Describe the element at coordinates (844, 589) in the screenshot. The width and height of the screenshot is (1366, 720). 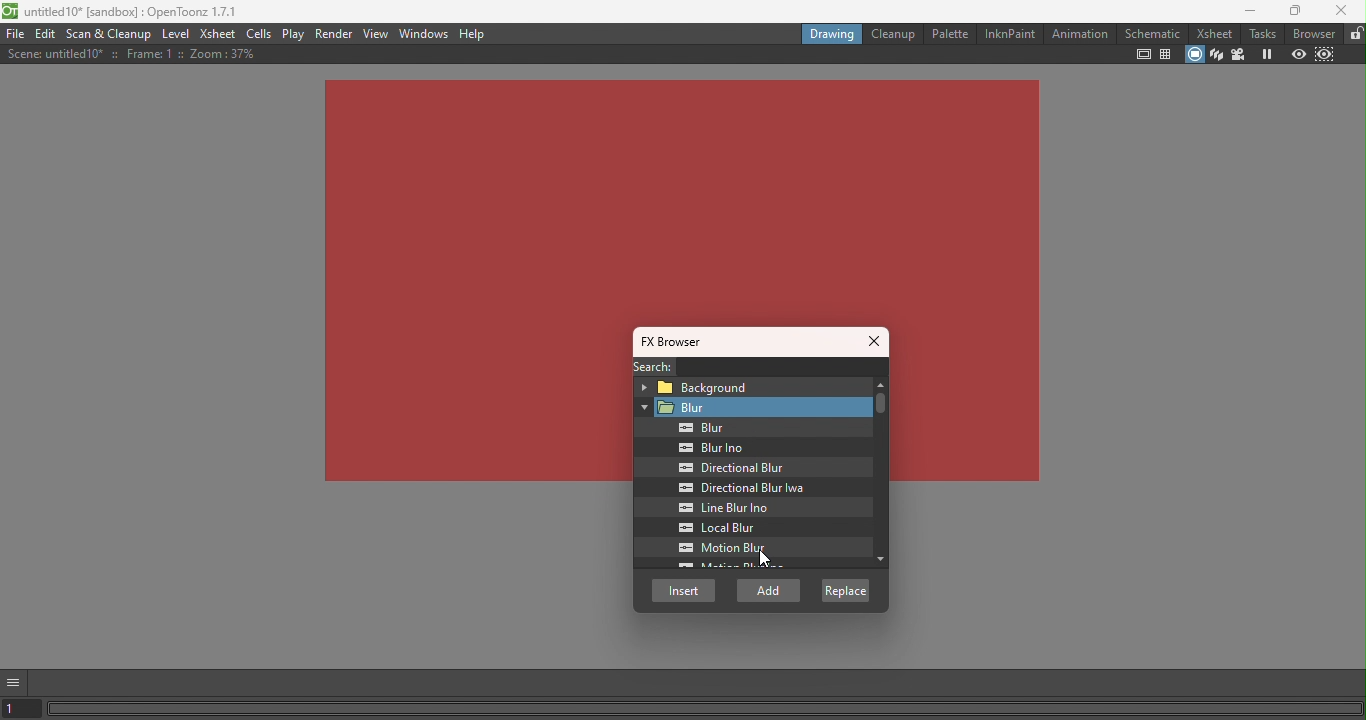
I see `Replace` at that location.